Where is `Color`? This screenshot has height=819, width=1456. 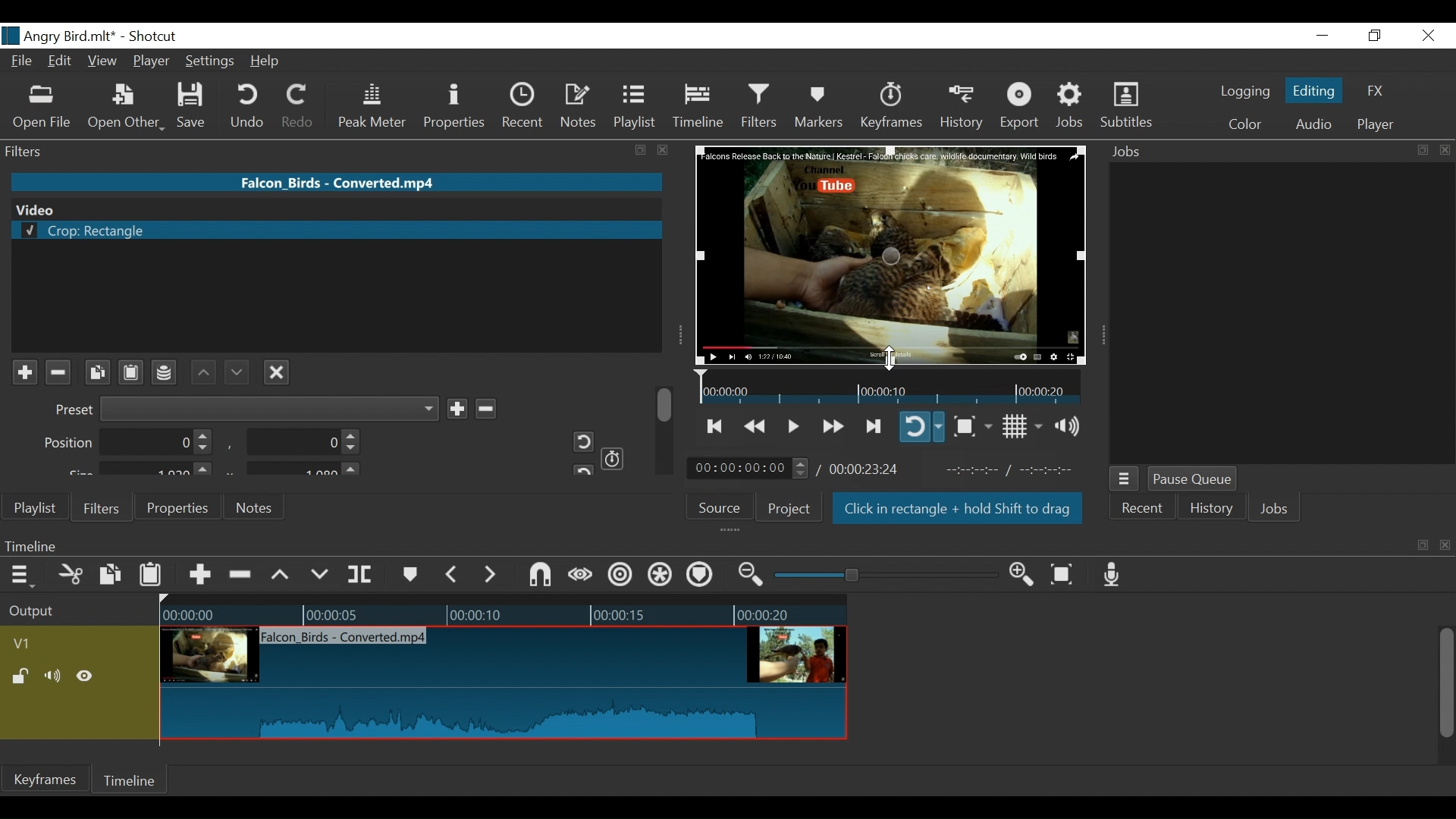
Color is located at coordinates (1241, 124).